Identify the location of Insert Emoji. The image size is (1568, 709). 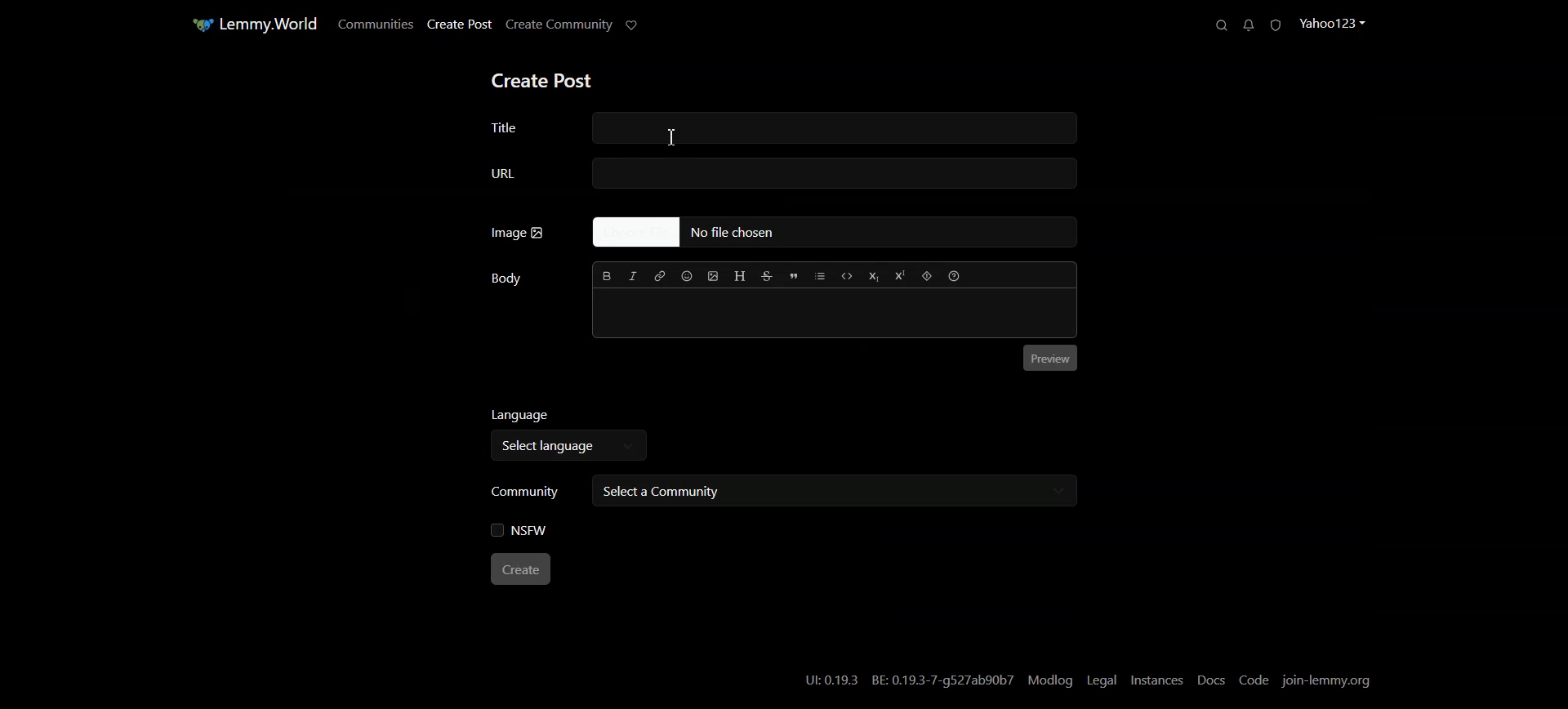
(688, 276).